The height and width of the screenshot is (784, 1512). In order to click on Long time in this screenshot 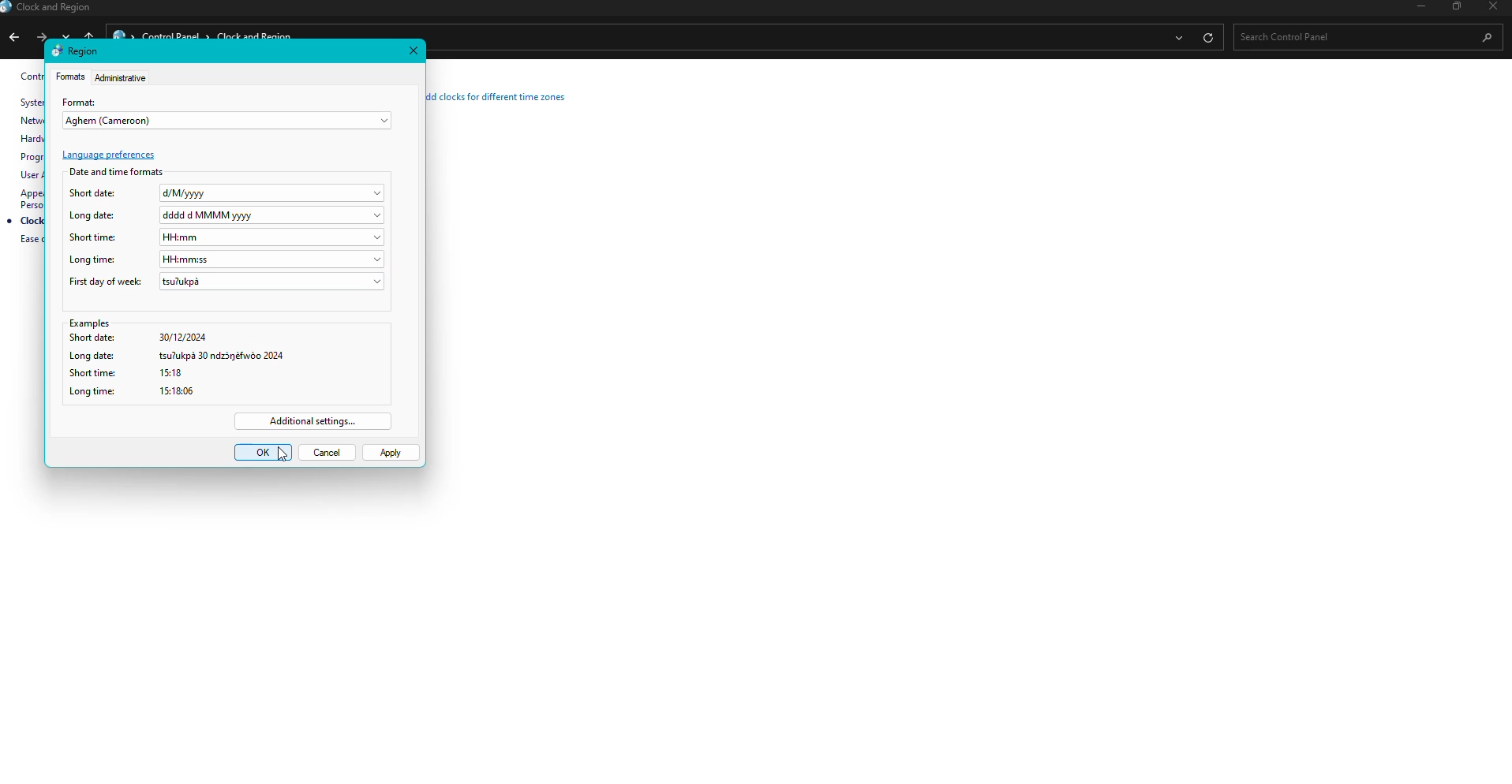, I will do `click(228, 259)`.